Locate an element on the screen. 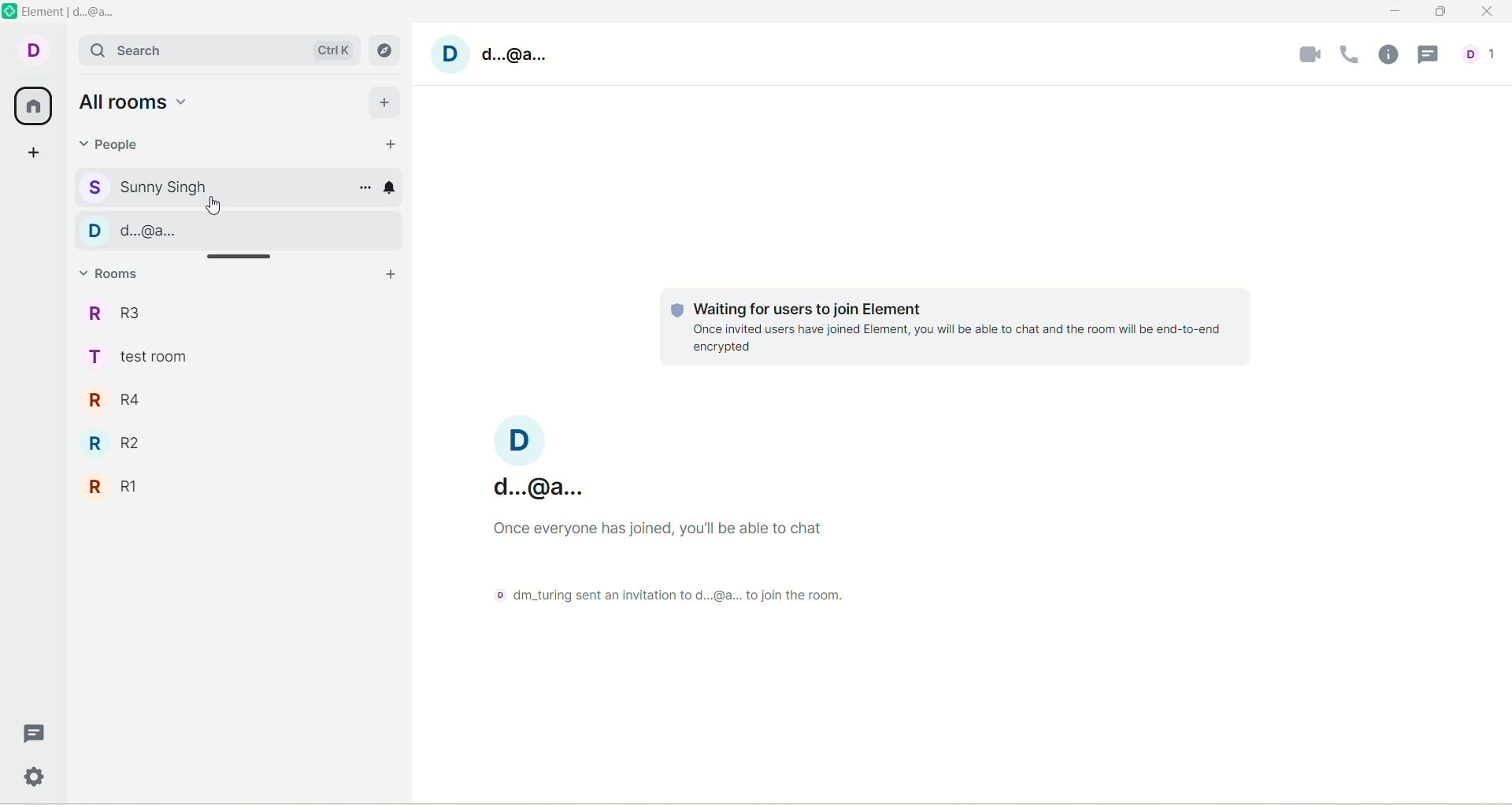  notification is located at coordinates (389, 187).